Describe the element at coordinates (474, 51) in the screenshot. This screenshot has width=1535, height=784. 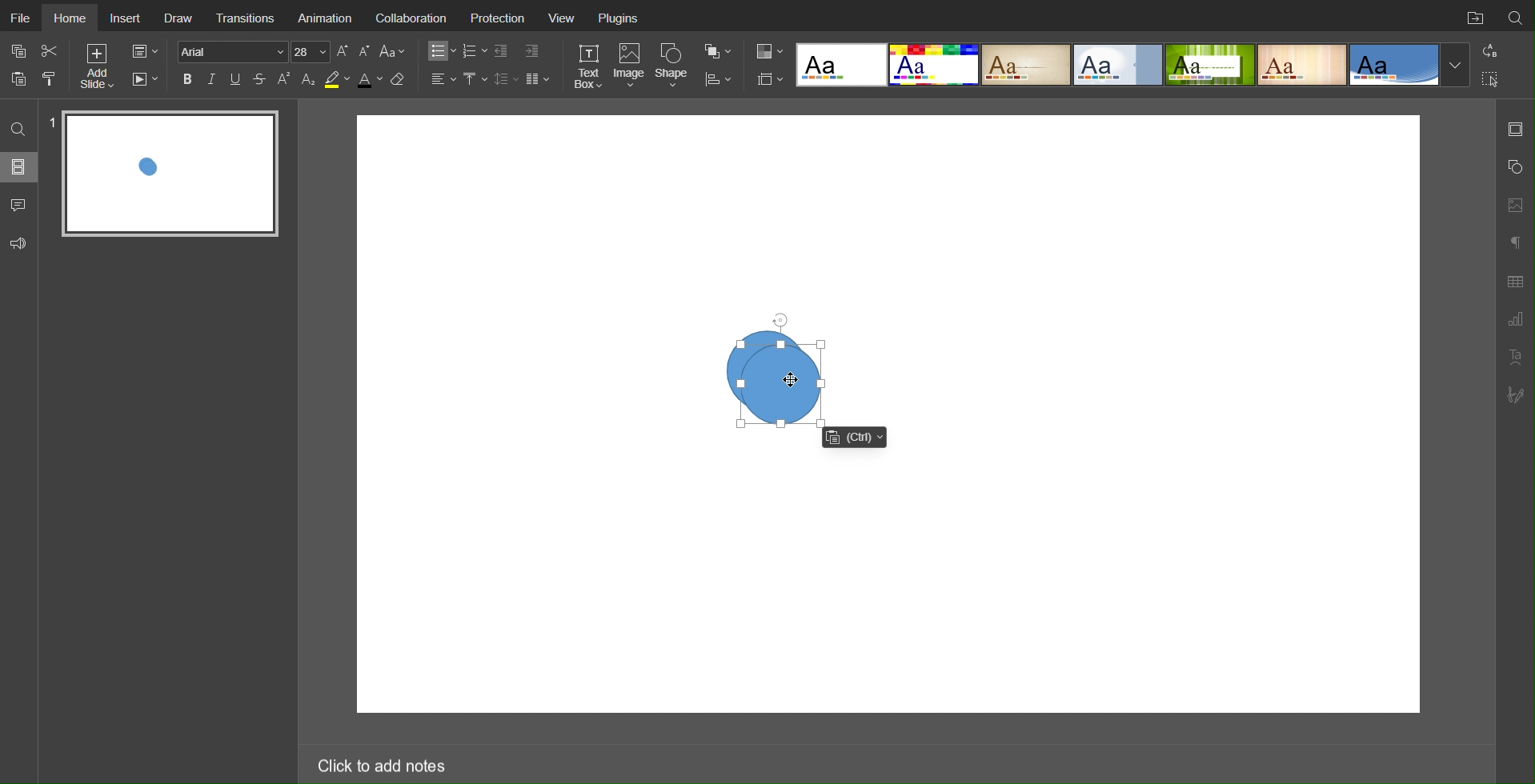
I see `Number List` at that location.